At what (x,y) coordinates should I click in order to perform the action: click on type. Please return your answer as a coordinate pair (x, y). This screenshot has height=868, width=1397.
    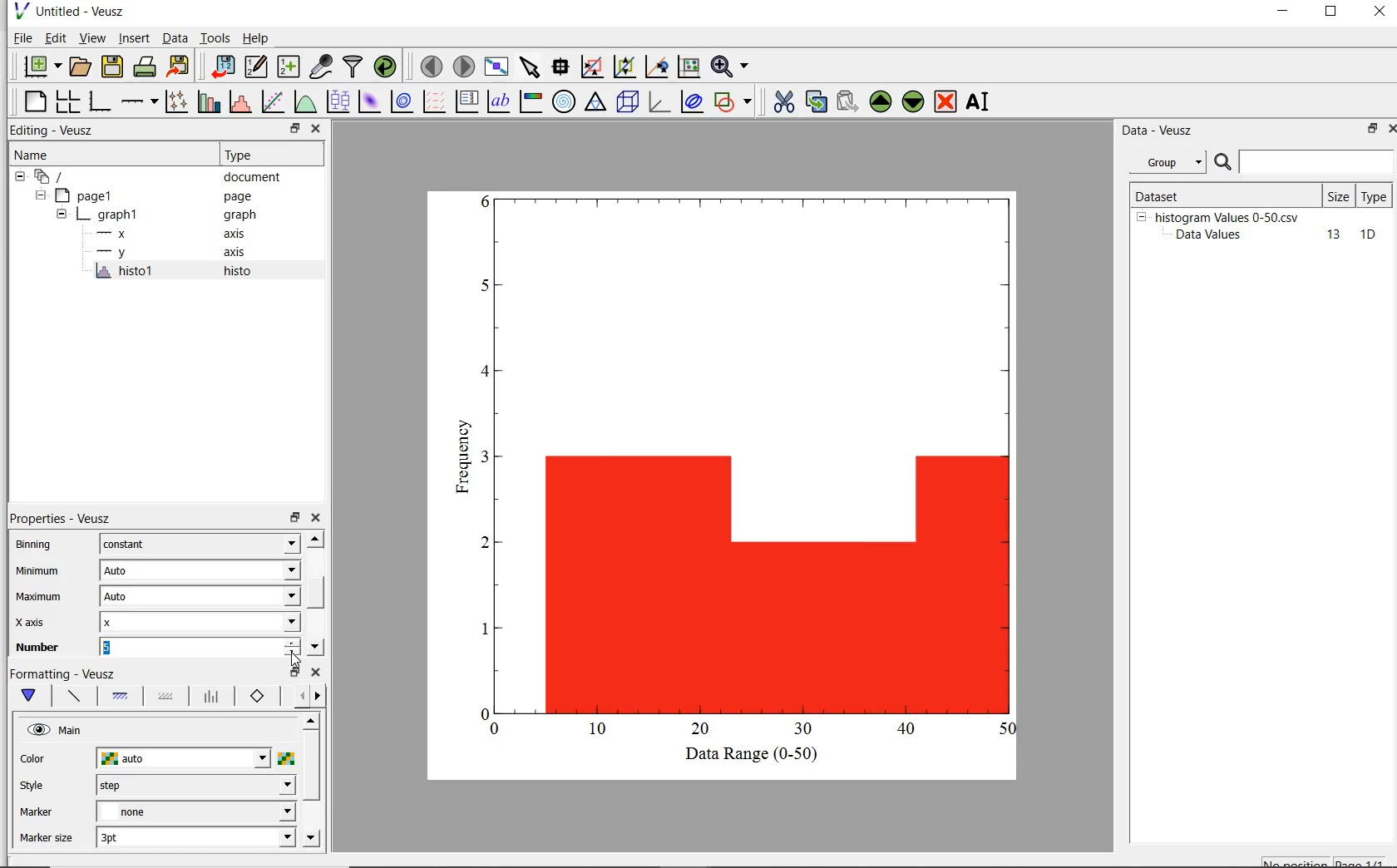
    Looking at the image, I should click on (1375, 195).